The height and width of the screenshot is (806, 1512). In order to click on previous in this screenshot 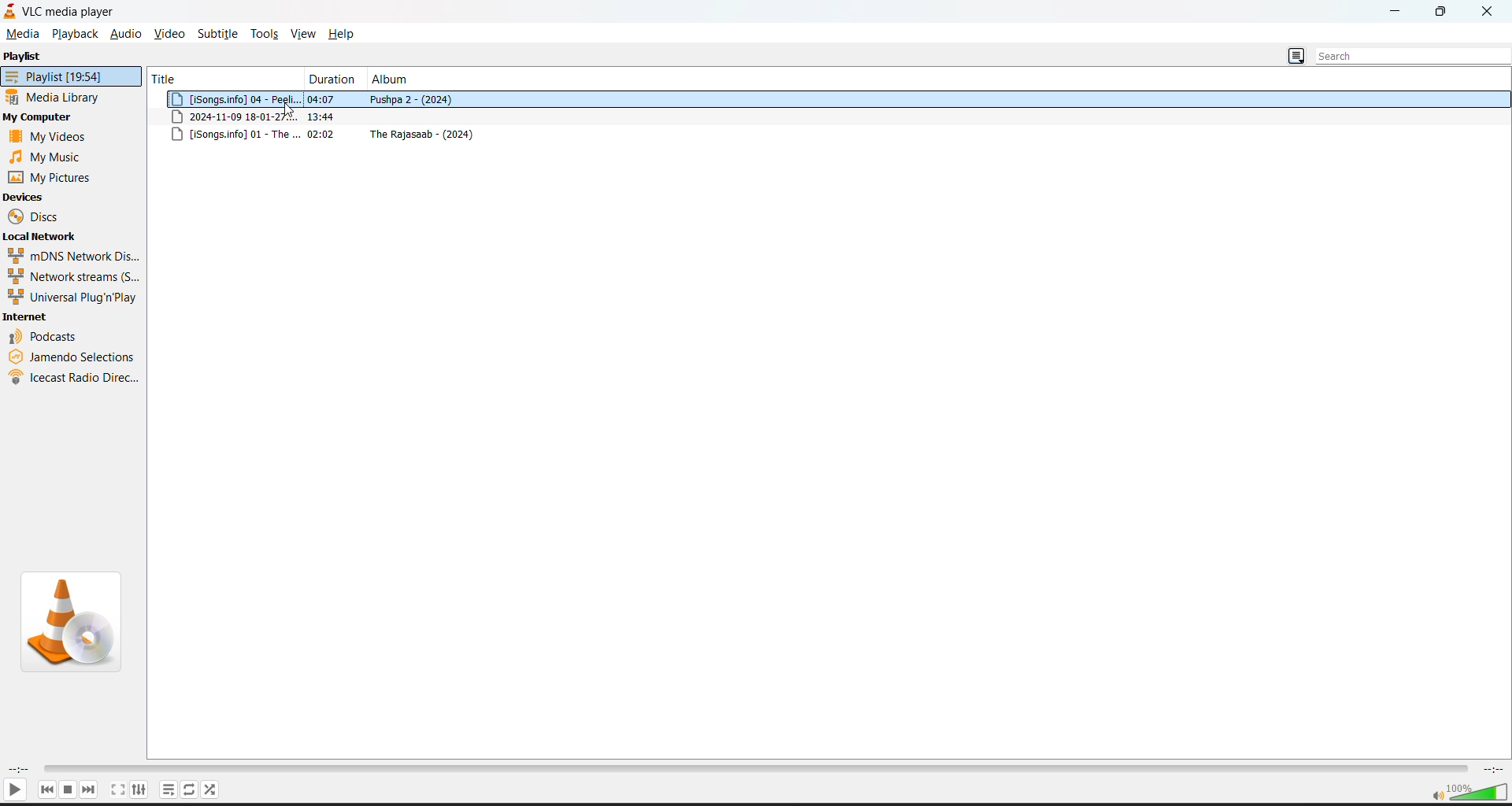, I will do `click(46, 789)`.